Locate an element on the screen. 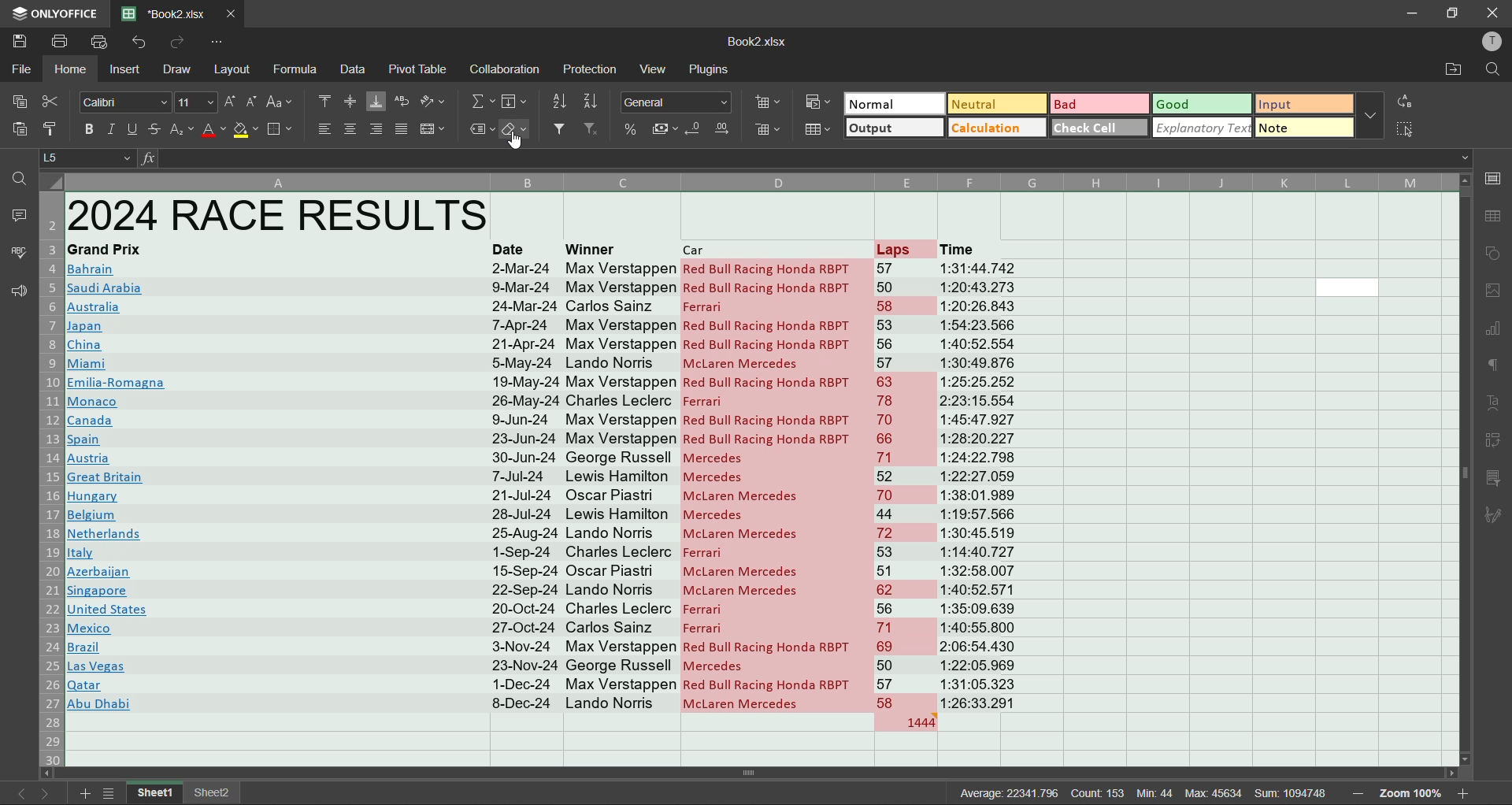  note is located at coordinates (1305, 127).